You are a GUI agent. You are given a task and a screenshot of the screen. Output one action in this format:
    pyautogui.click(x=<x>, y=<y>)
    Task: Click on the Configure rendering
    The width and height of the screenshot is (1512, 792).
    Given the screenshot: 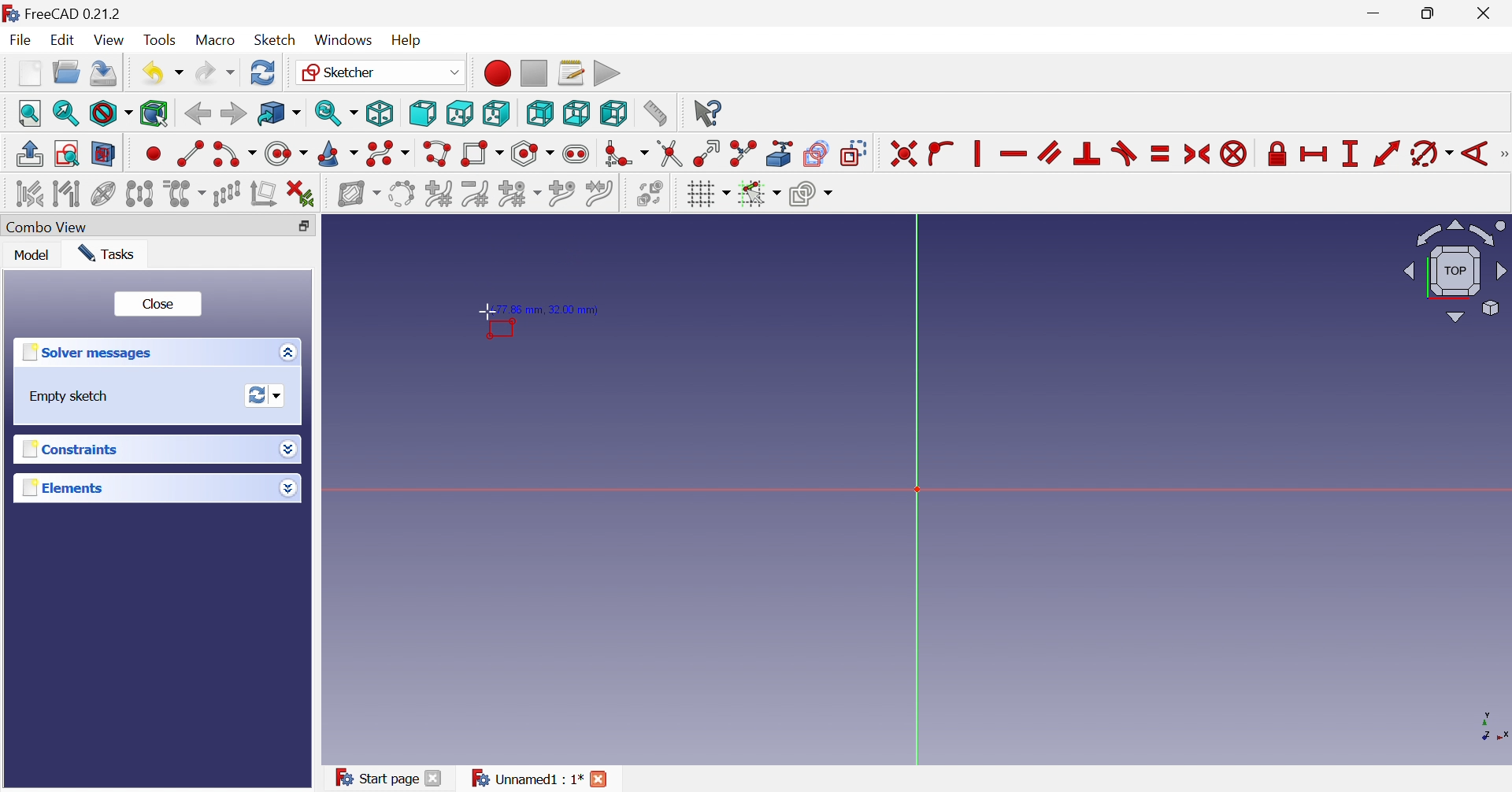 What is the action you would take?
    pyautogui.click(x=811, y=196)
    